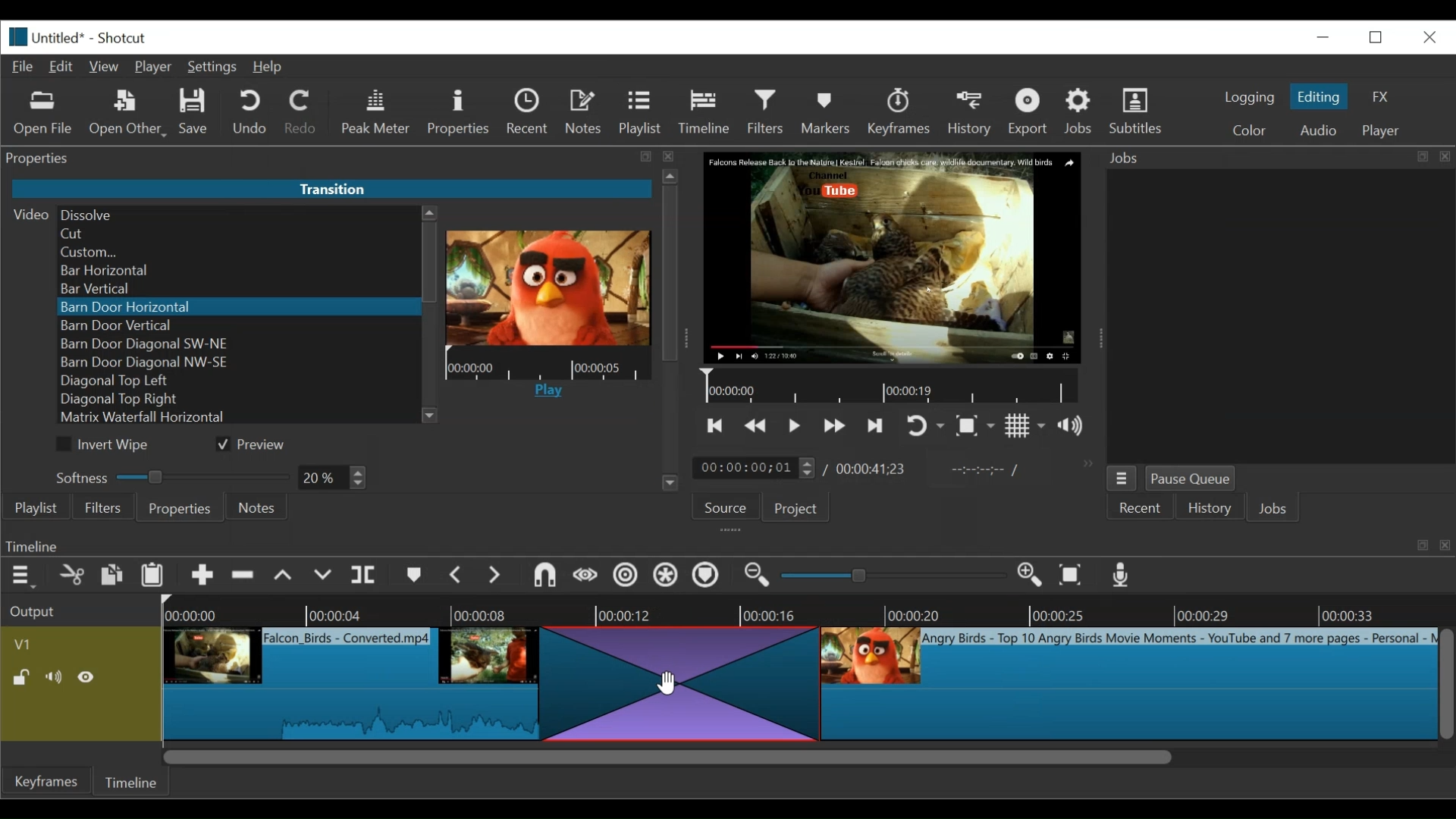 The width and height of the screenshot is (1456, 819). I want to click on Dissolve, so click(238, 214).